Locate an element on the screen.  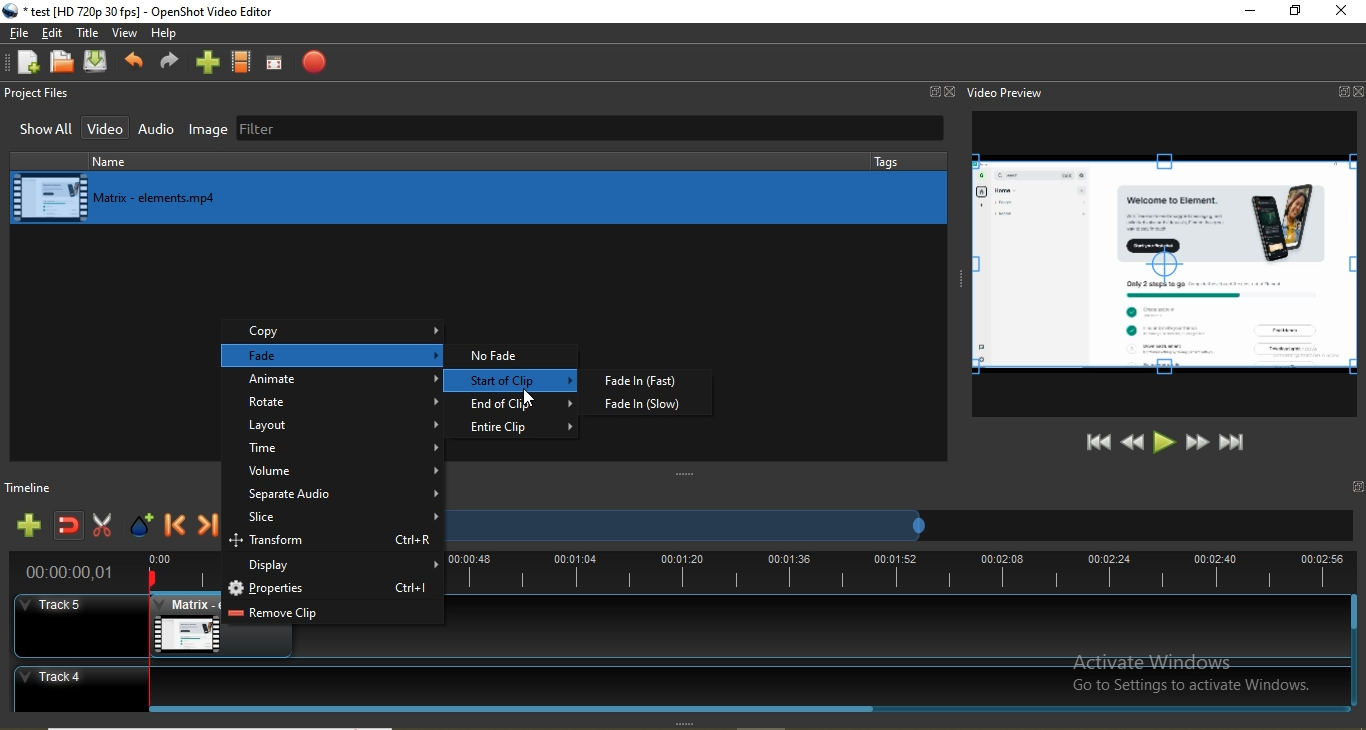
Track  4 is located at coordinates (671, 683).